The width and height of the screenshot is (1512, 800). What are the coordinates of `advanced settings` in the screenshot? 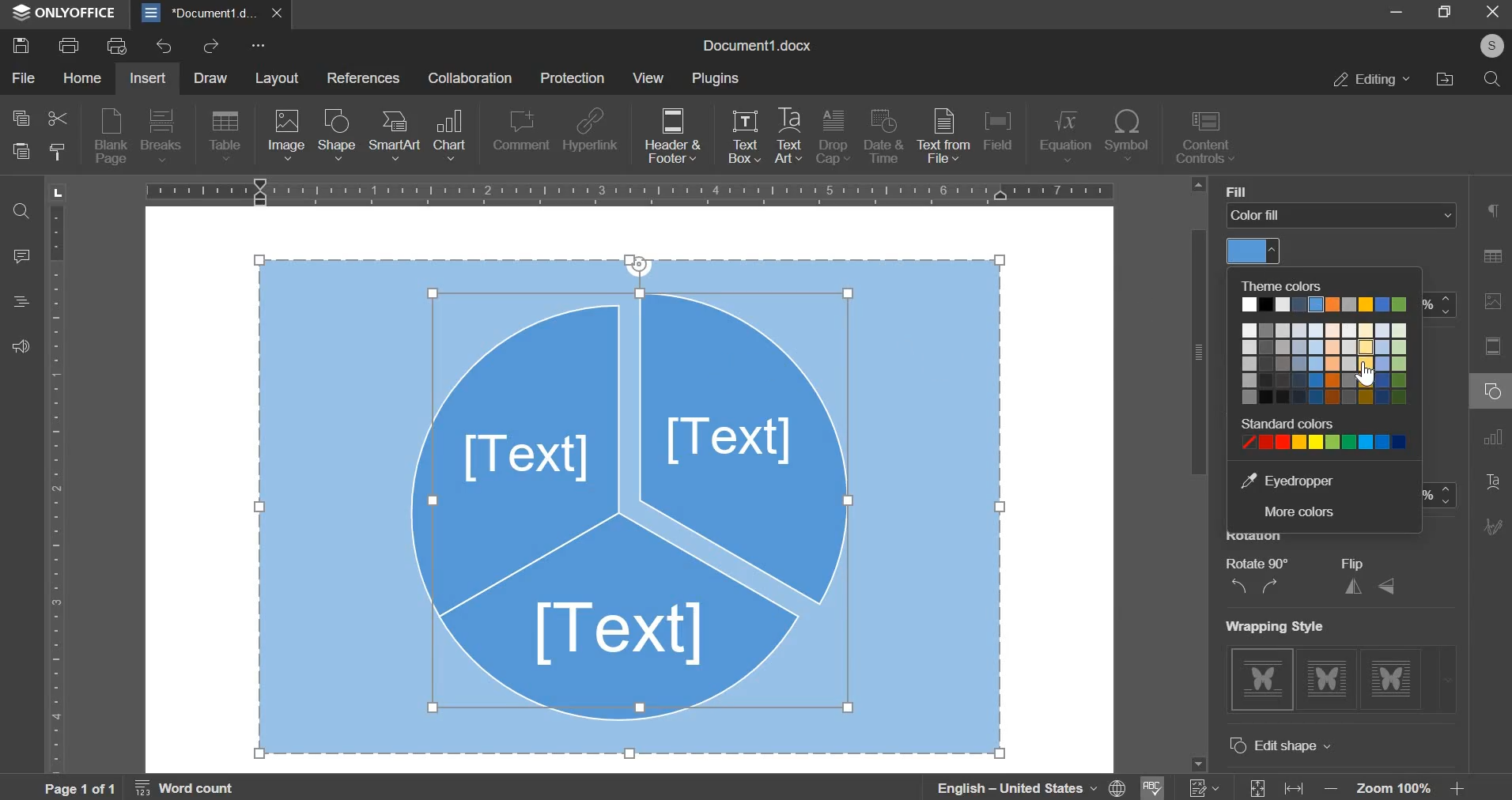 It's located at (1302, 745).